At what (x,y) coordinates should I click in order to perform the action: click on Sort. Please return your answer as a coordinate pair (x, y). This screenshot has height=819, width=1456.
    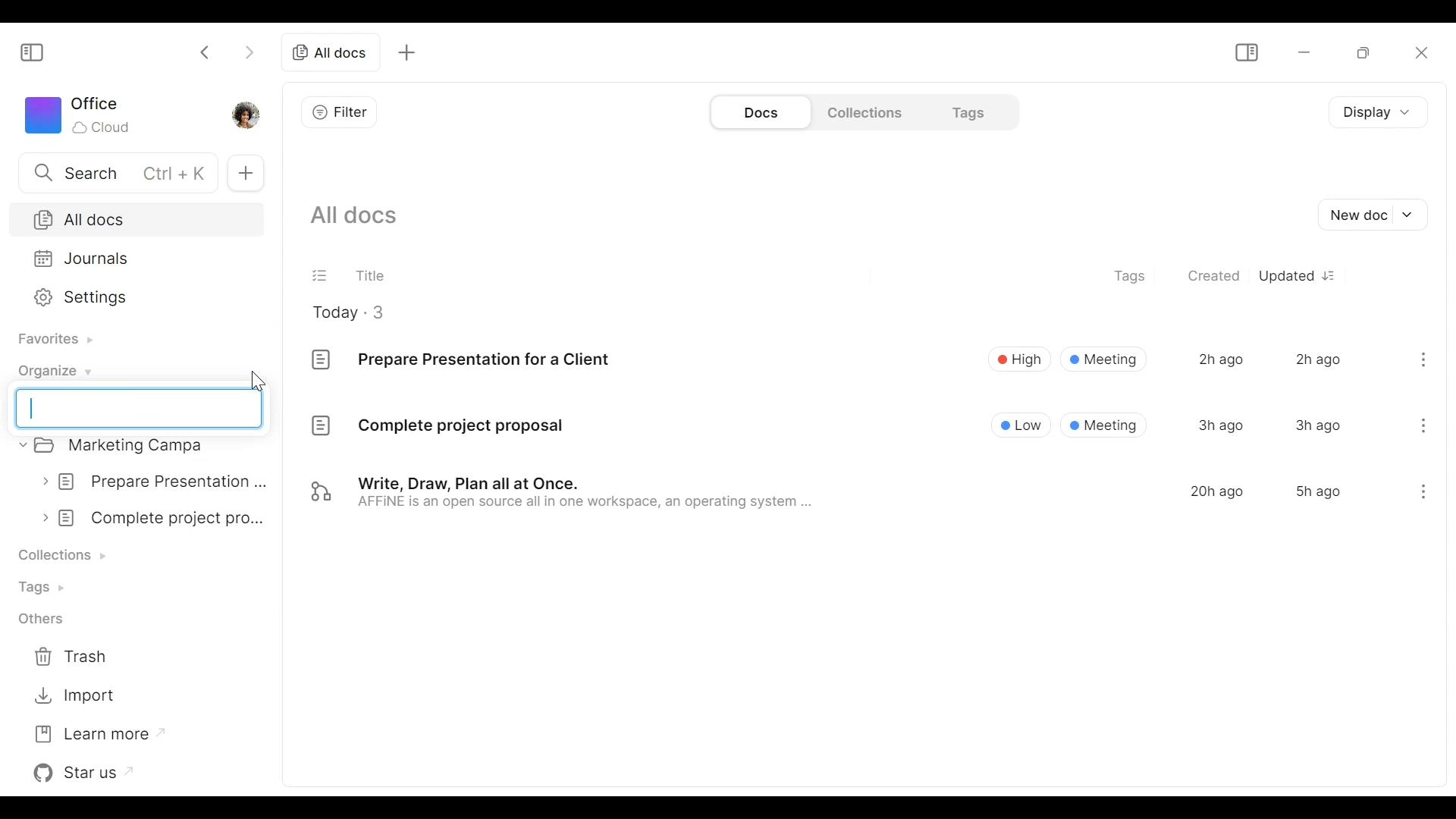
    Looking at the image, I should click on (1334, 275).